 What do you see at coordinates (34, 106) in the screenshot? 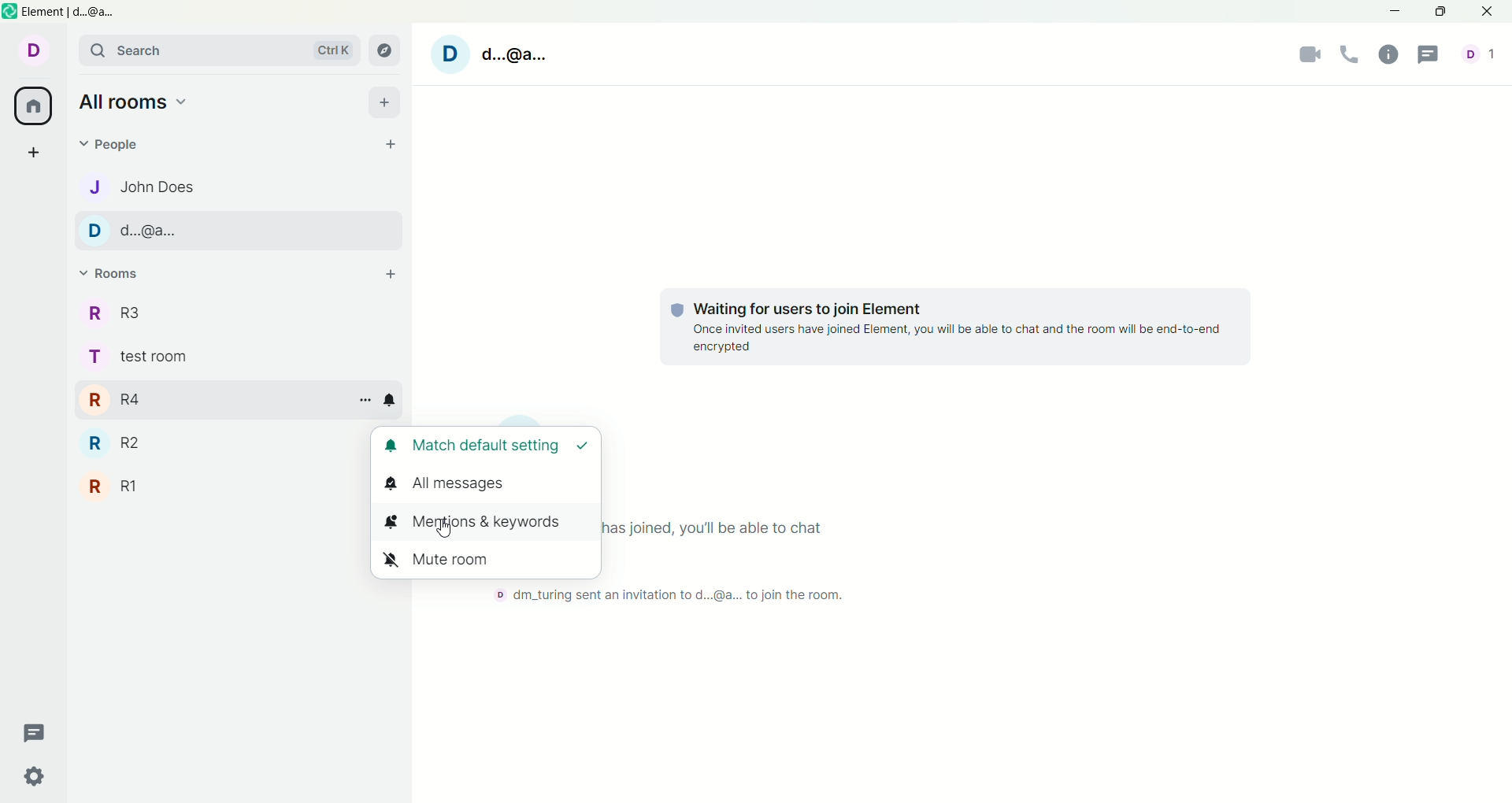
I see `all rooms` at bounding box center [34, 106].